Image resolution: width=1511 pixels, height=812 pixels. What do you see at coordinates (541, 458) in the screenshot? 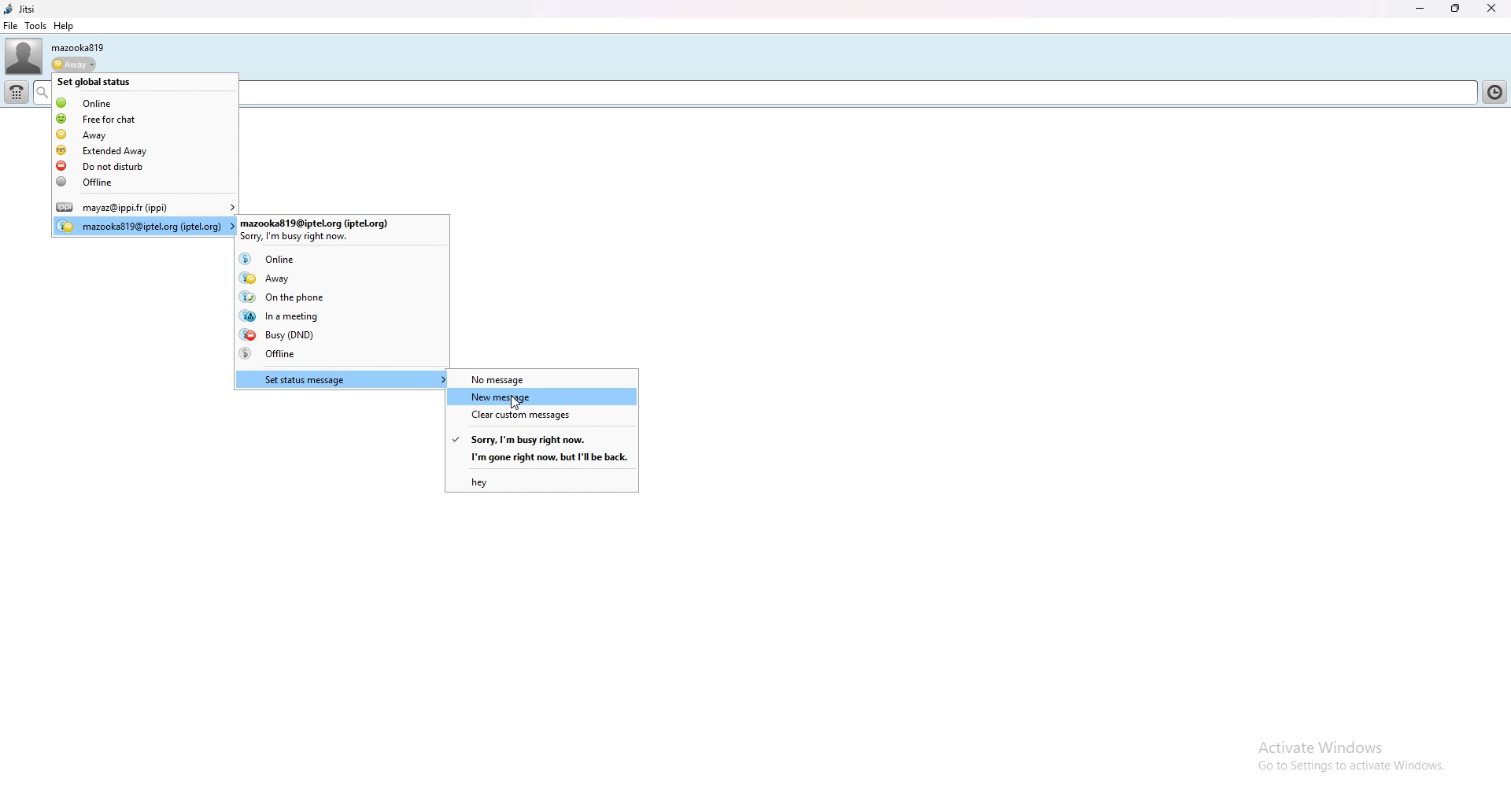
I see `i'm gone right now.but i'll be back.` at bounding box center [541, 458].